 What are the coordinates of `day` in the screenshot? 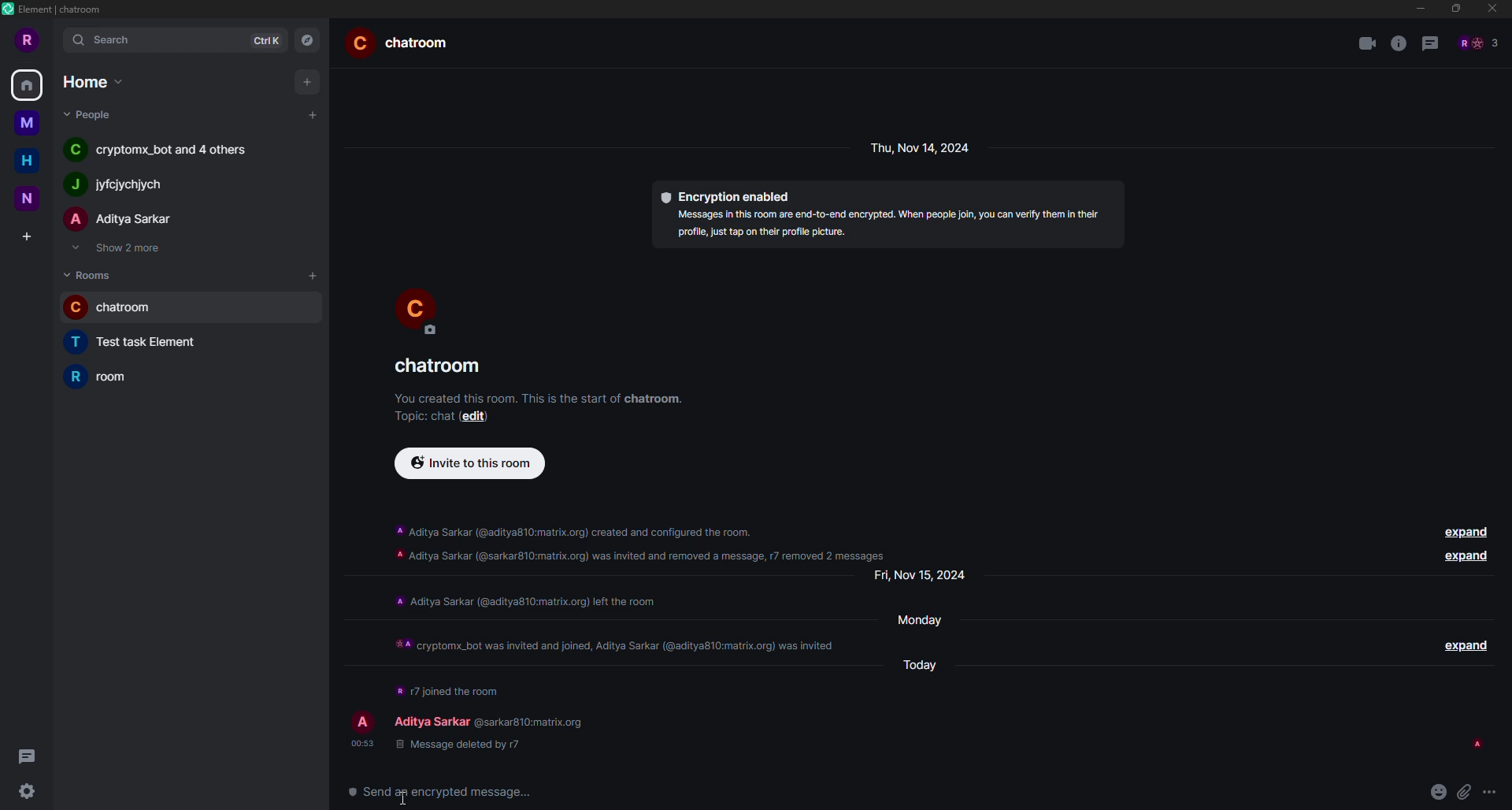 It's located at (928, 663).